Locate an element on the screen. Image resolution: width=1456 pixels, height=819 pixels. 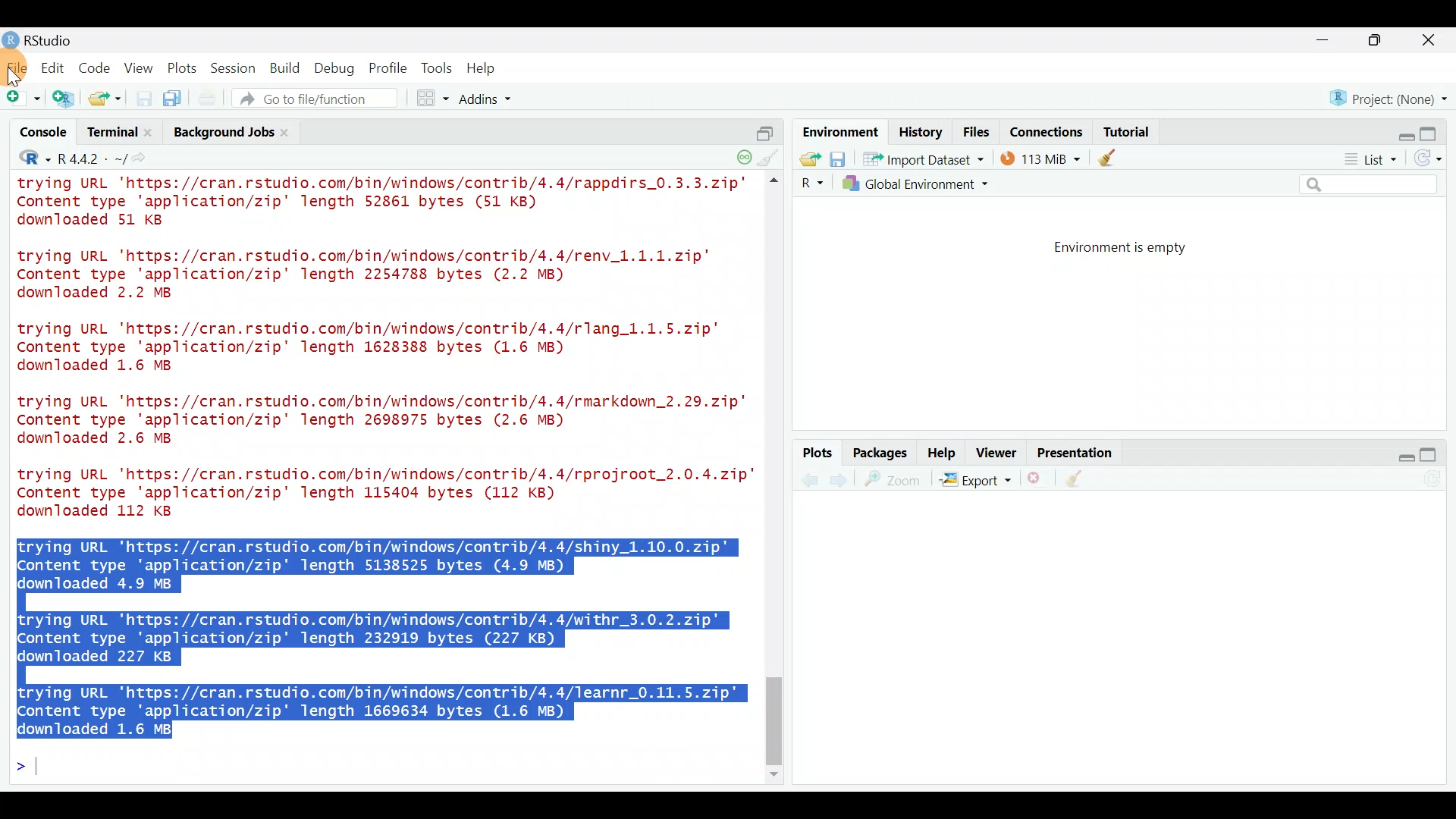
trying URL 'https://cran.rstudio.com/bin/windows/contrib/4.4/rprojroot_2.0.4.zip"
Content type 'application/zip' length 115404 bytes (112 KB)
downloaded 112 KB is located at coordinates (378, 492).